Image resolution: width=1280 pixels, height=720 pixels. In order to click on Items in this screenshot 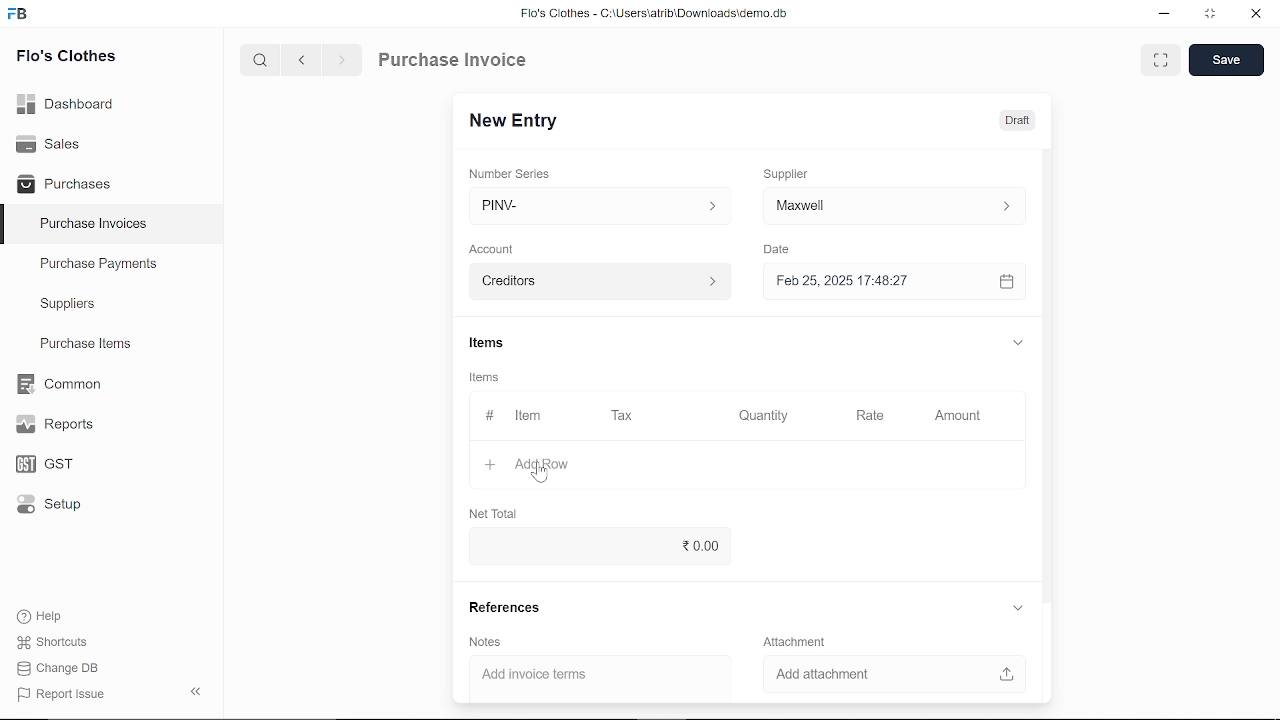, I will do `click(490, 379)`.